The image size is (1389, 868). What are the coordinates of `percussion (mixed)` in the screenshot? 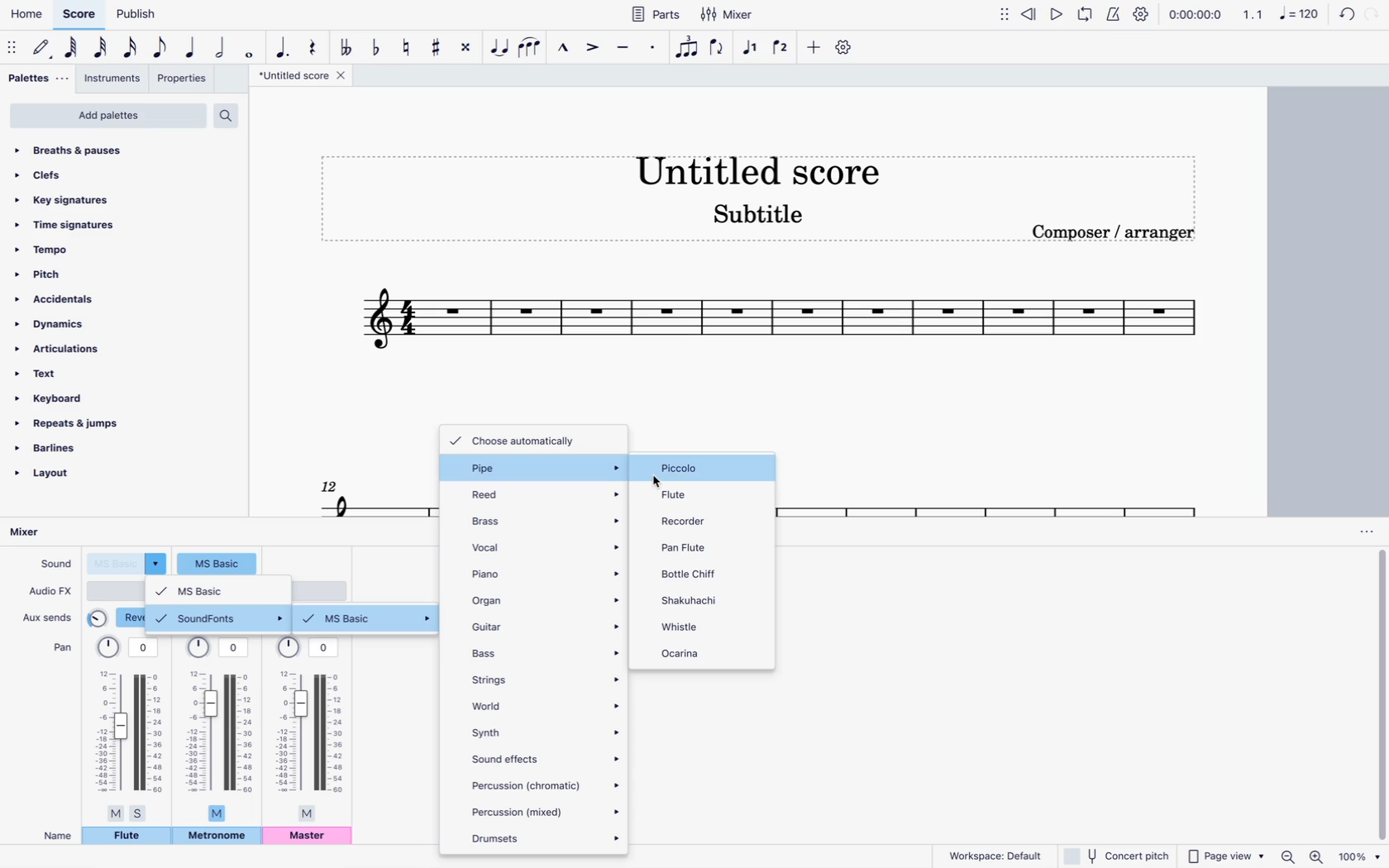 It's located at (546, 811).